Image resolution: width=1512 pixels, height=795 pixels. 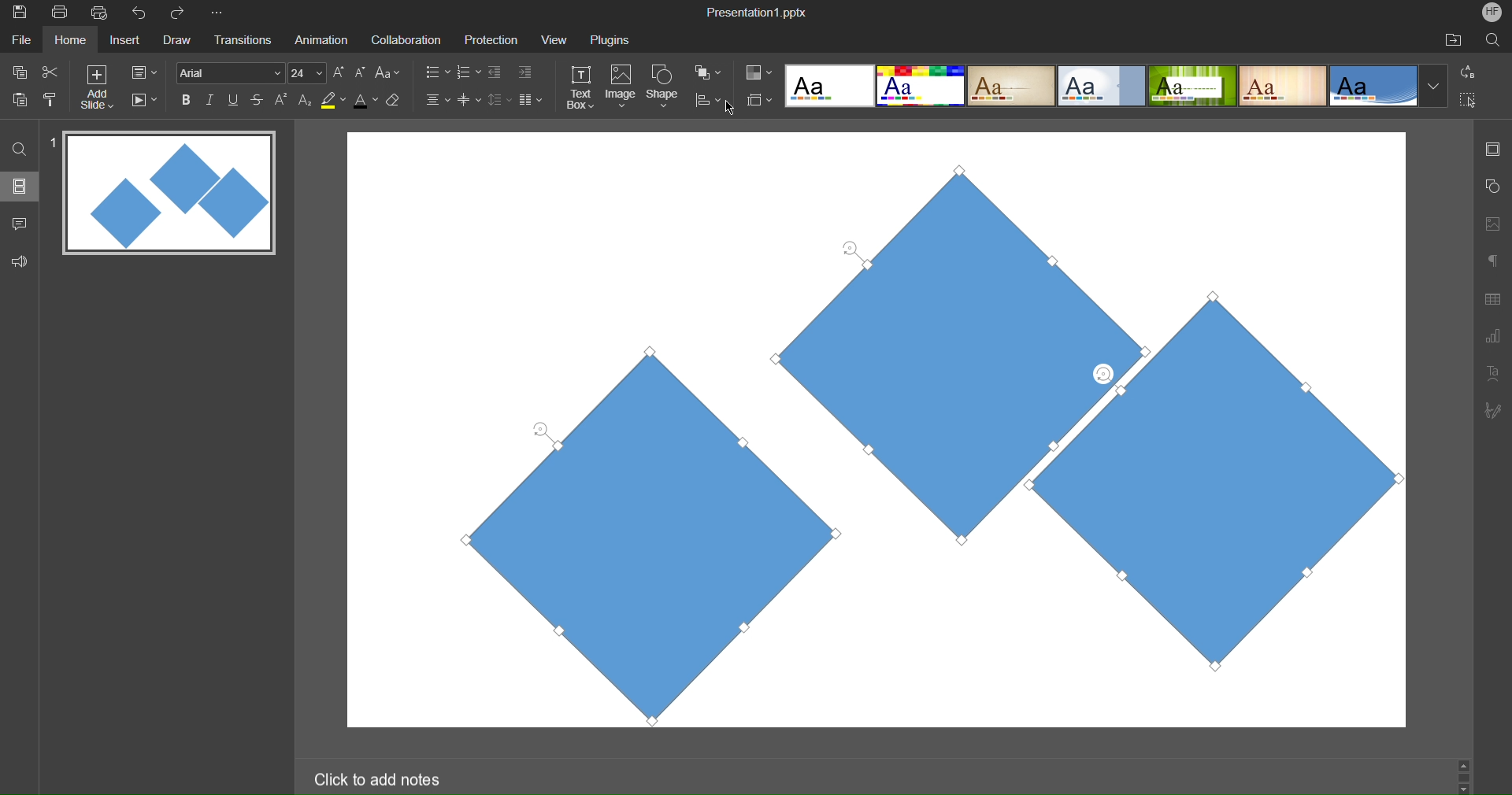 I want to click on Font Case Settings, so click(x=388, y=72).